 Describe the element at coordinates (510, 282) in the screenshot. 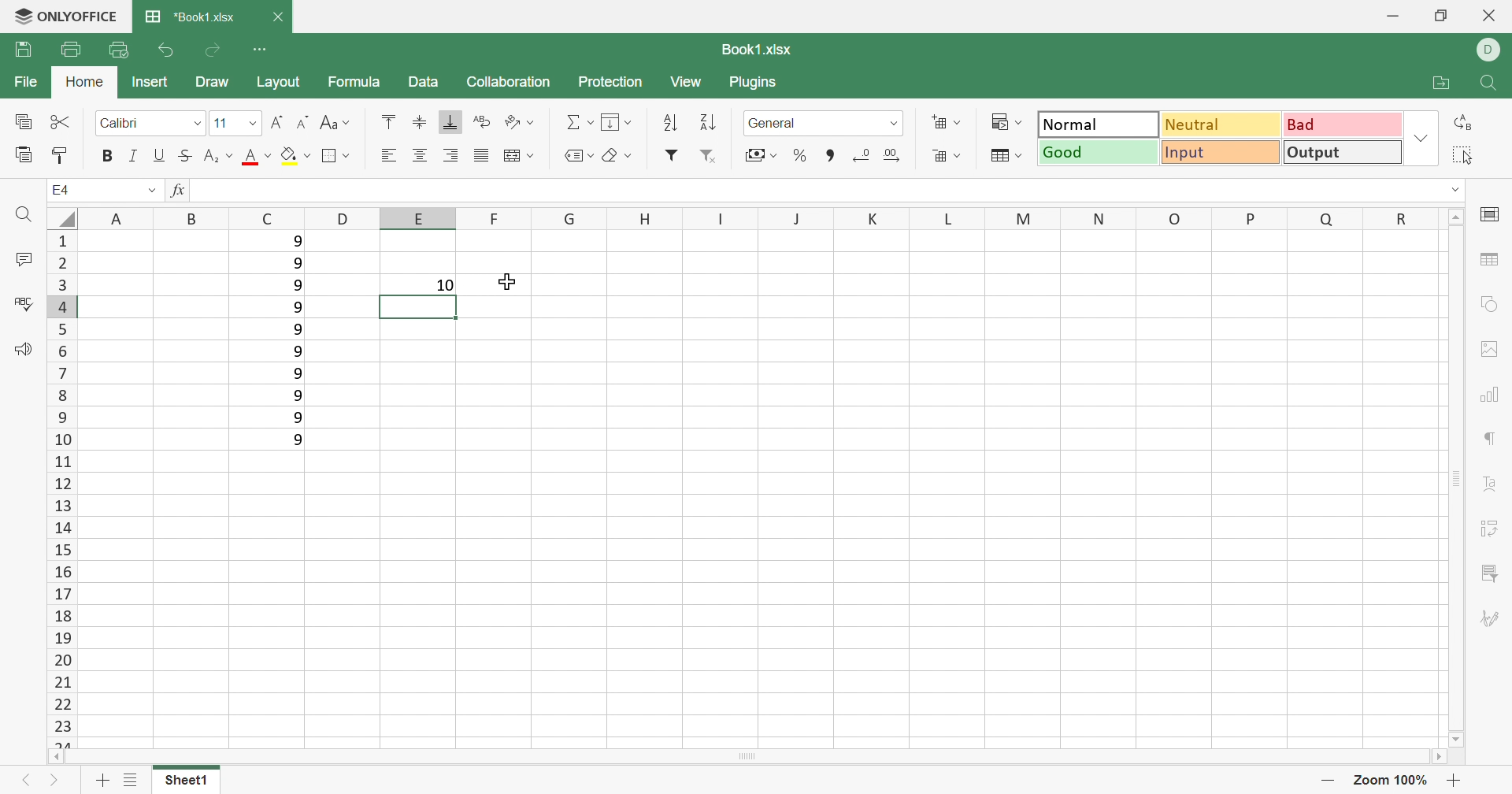

I see `Cursor` at that location.